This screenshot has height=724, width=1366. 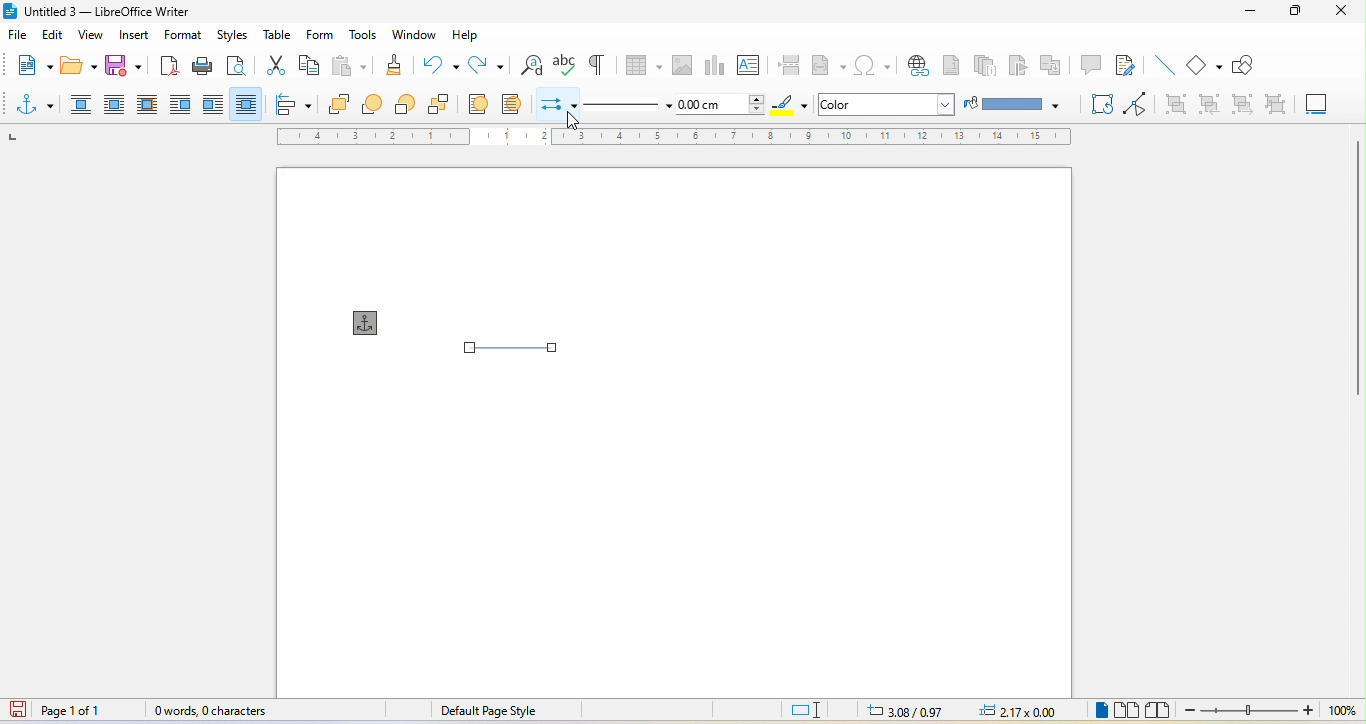 What do you see at coordinates (532, 65) in the screenshot?
I see `find and replace` at bounding box center [532, 65].